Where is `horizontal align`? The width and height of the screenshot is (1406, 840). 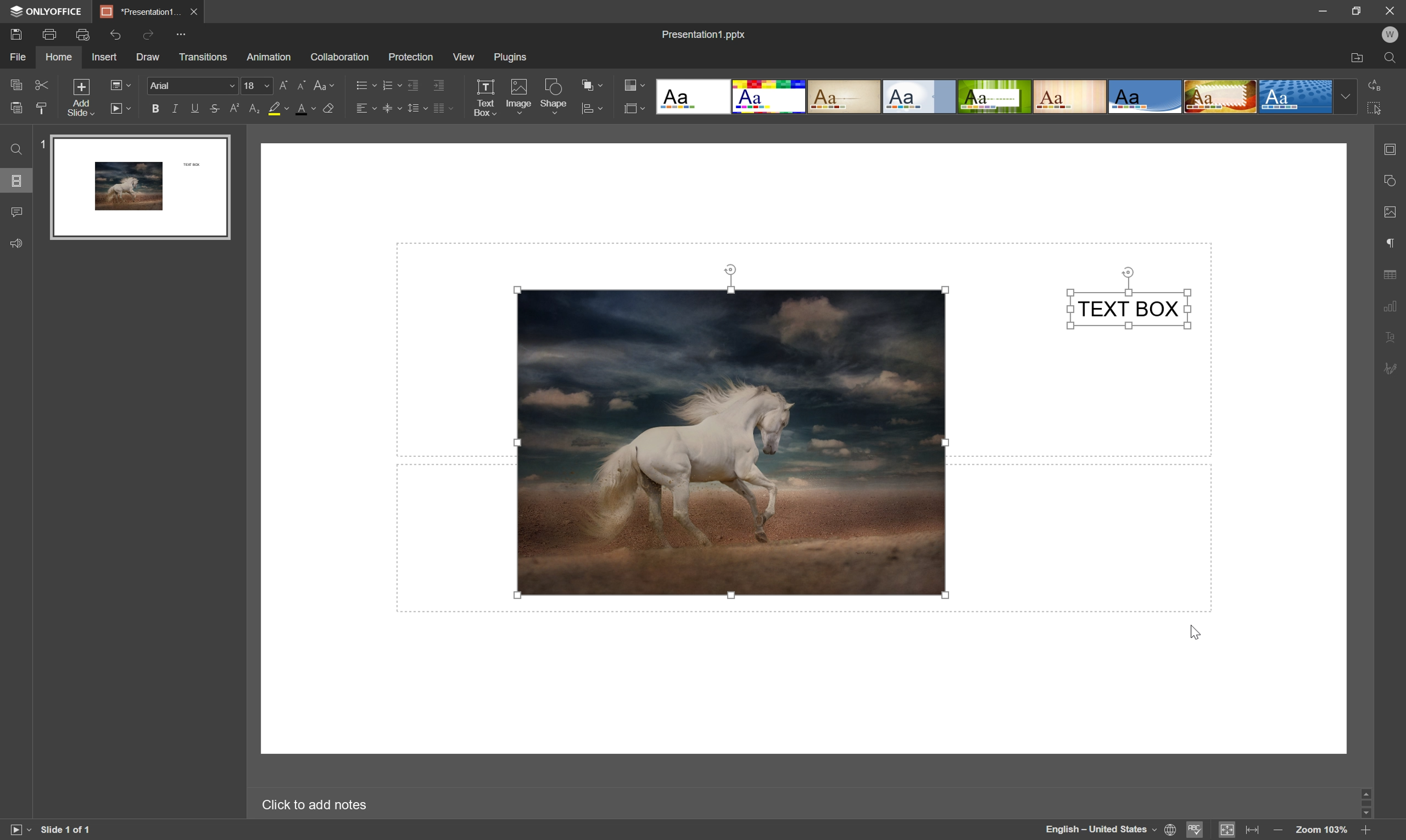
horizontal align is located at coordinates (366, 106).